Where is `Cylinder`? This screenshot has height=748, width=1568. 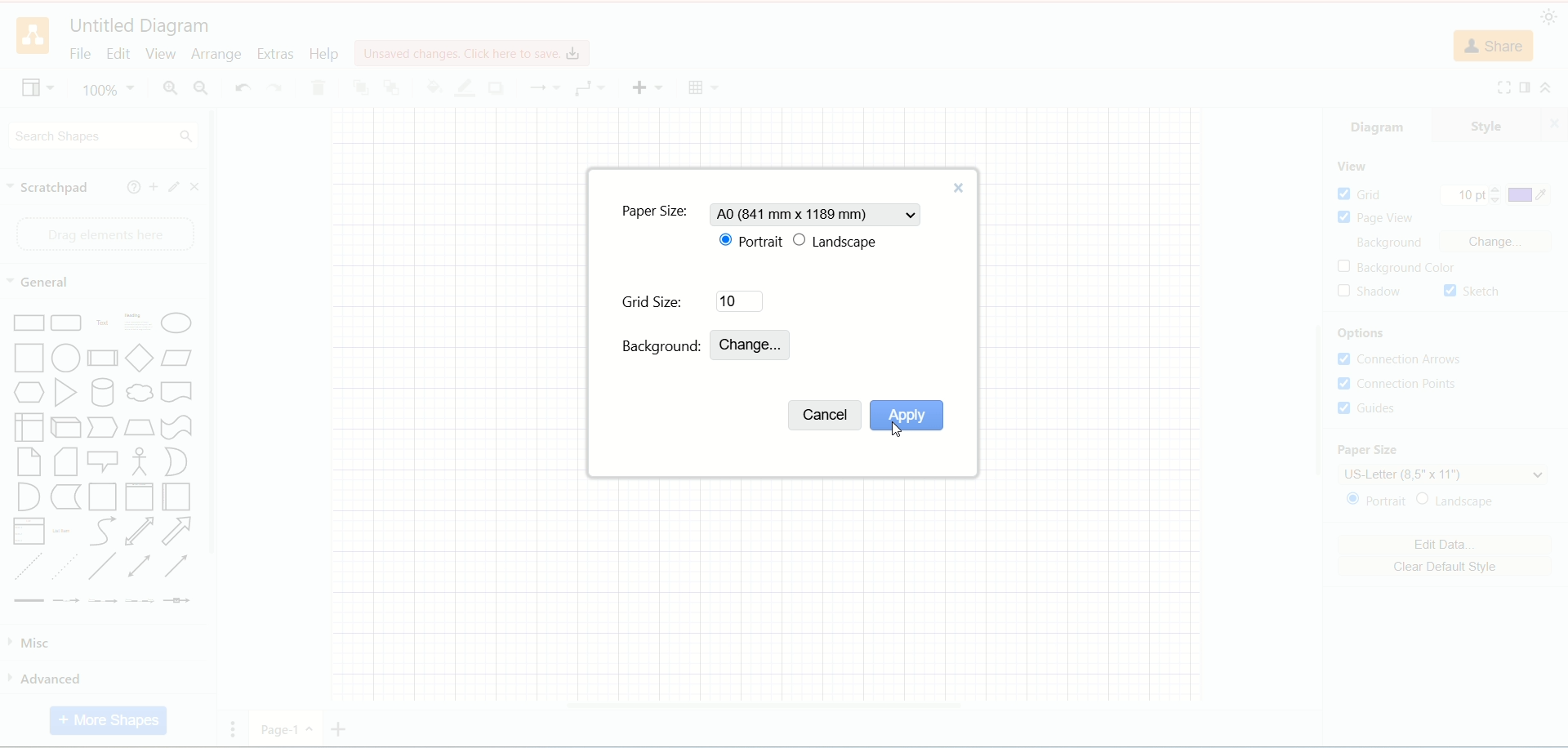
Cylinder is located at coordinates (104, 394).